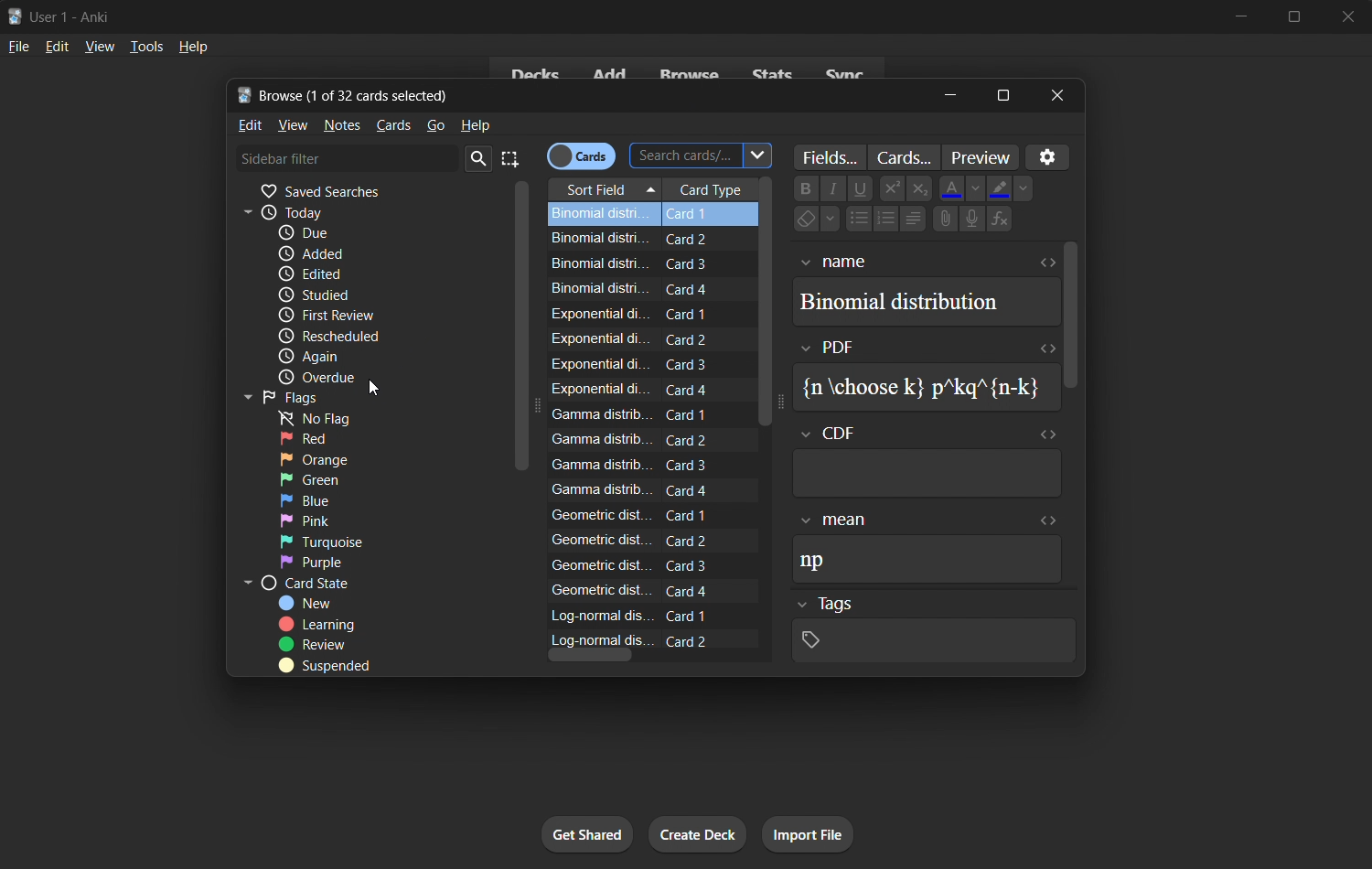 Image resolution: width=1372 pixels, height=869 pixels. What do you see at coordinates (704, 316) in the screenshot?
I see `Card 1` at bounding box center [704, 316].